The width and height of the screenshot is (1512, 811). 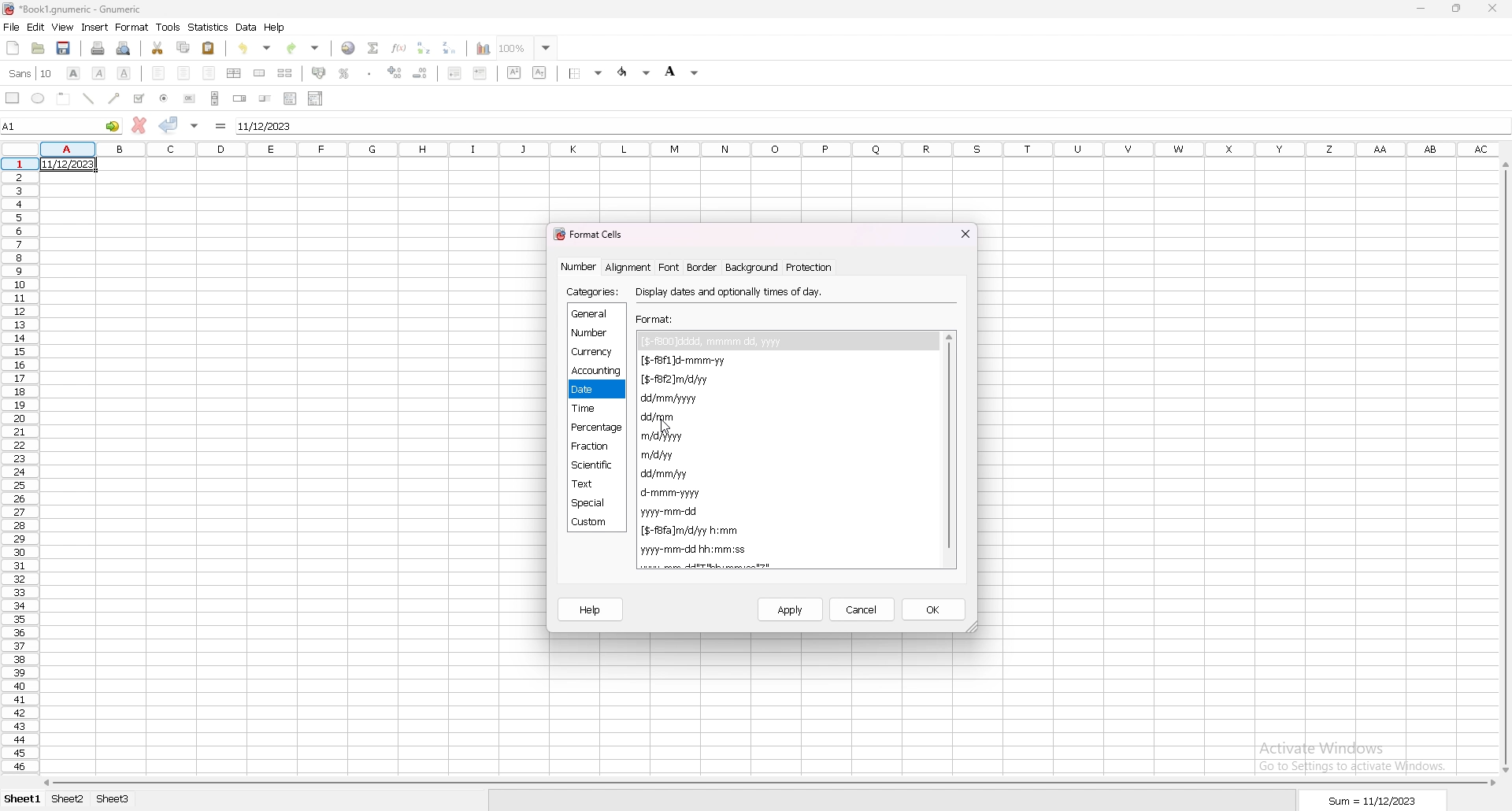 What do you see at coordinates (628, 267) in the screenshot?
I see `alignment` at bounding box center [628, 267].